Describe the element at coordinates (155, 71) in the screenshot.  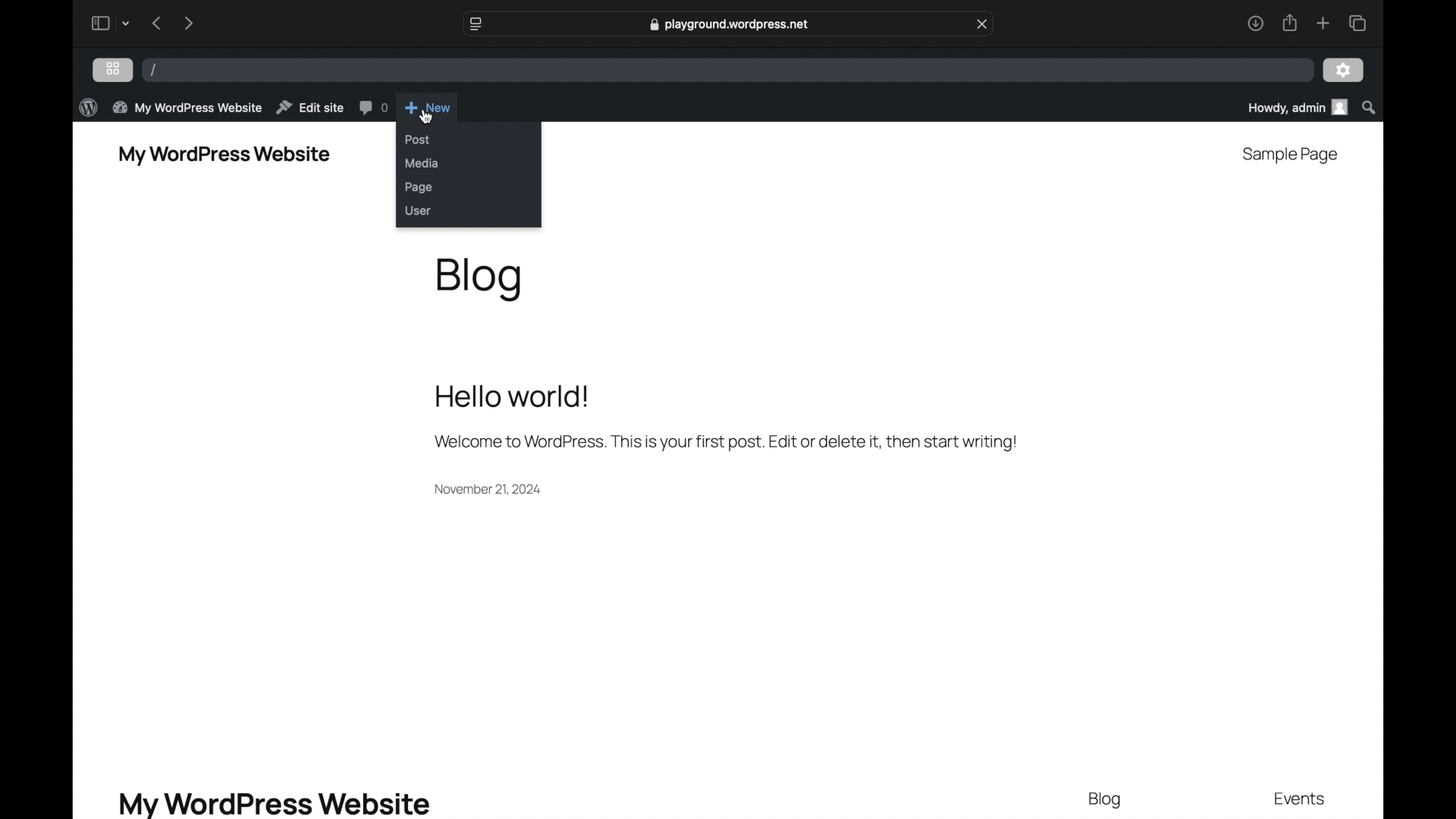
I see `/` at that location.